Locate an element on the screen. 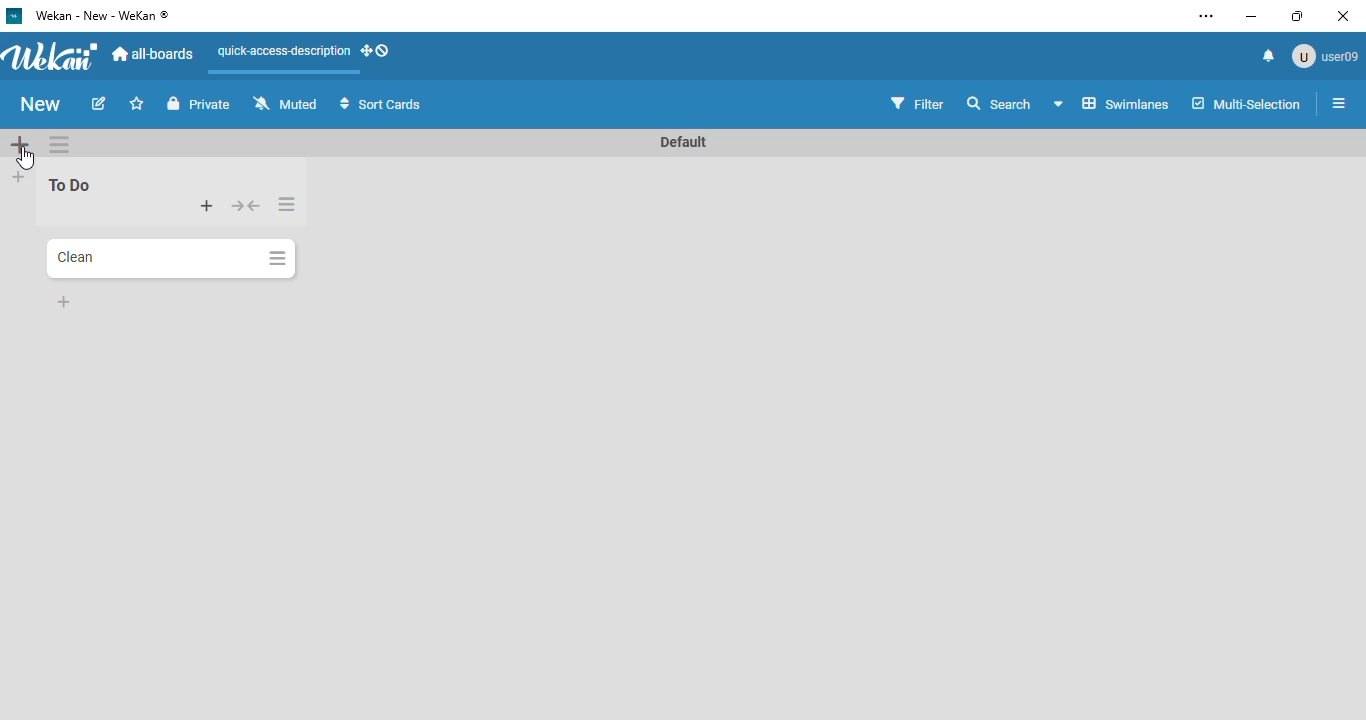 The image size is (1366, 720). cursor is located at coordinates (24, 158).